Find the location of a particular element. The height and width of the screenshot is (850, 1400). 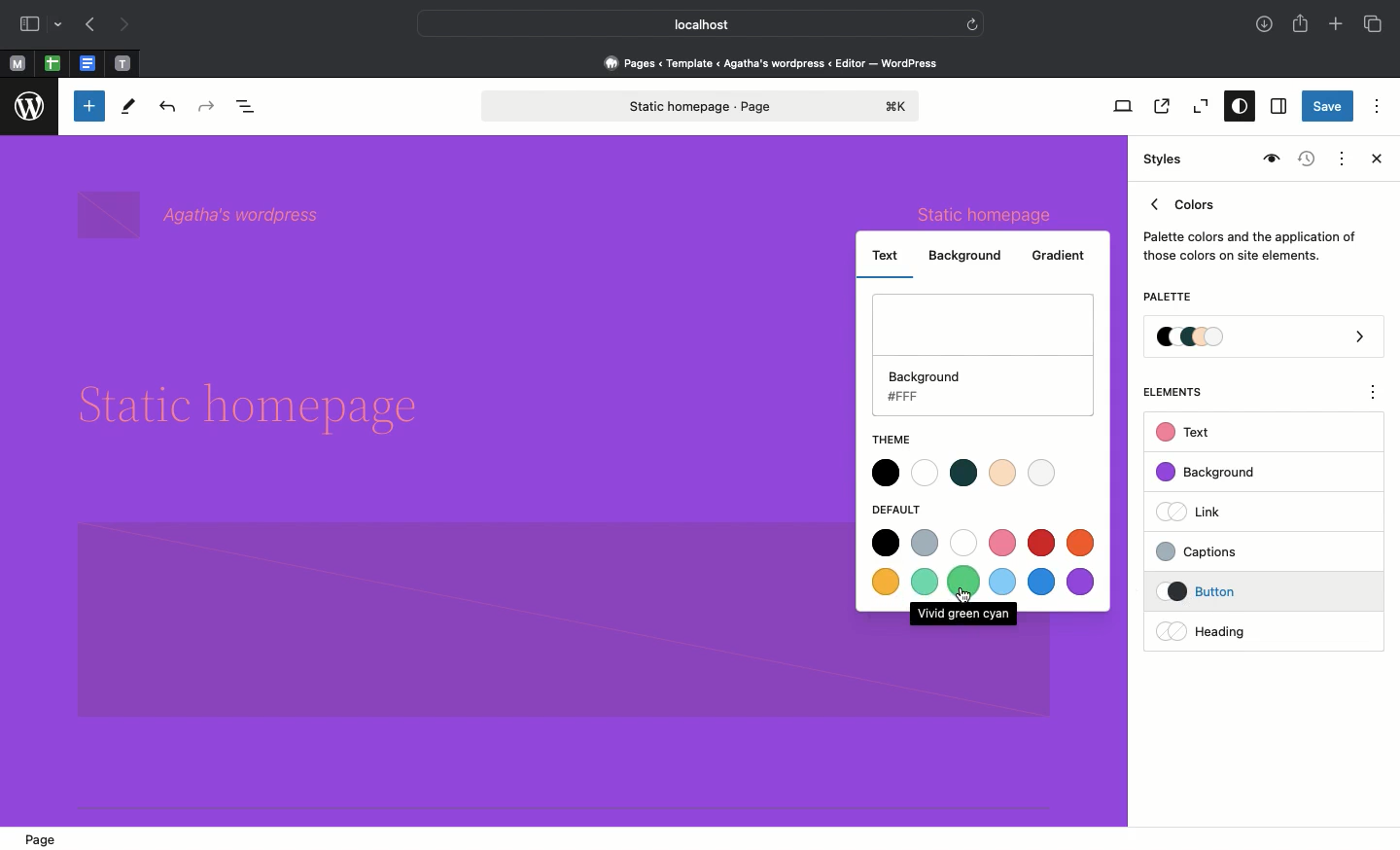

vivid green cyan is located at coordinates (962, 614).